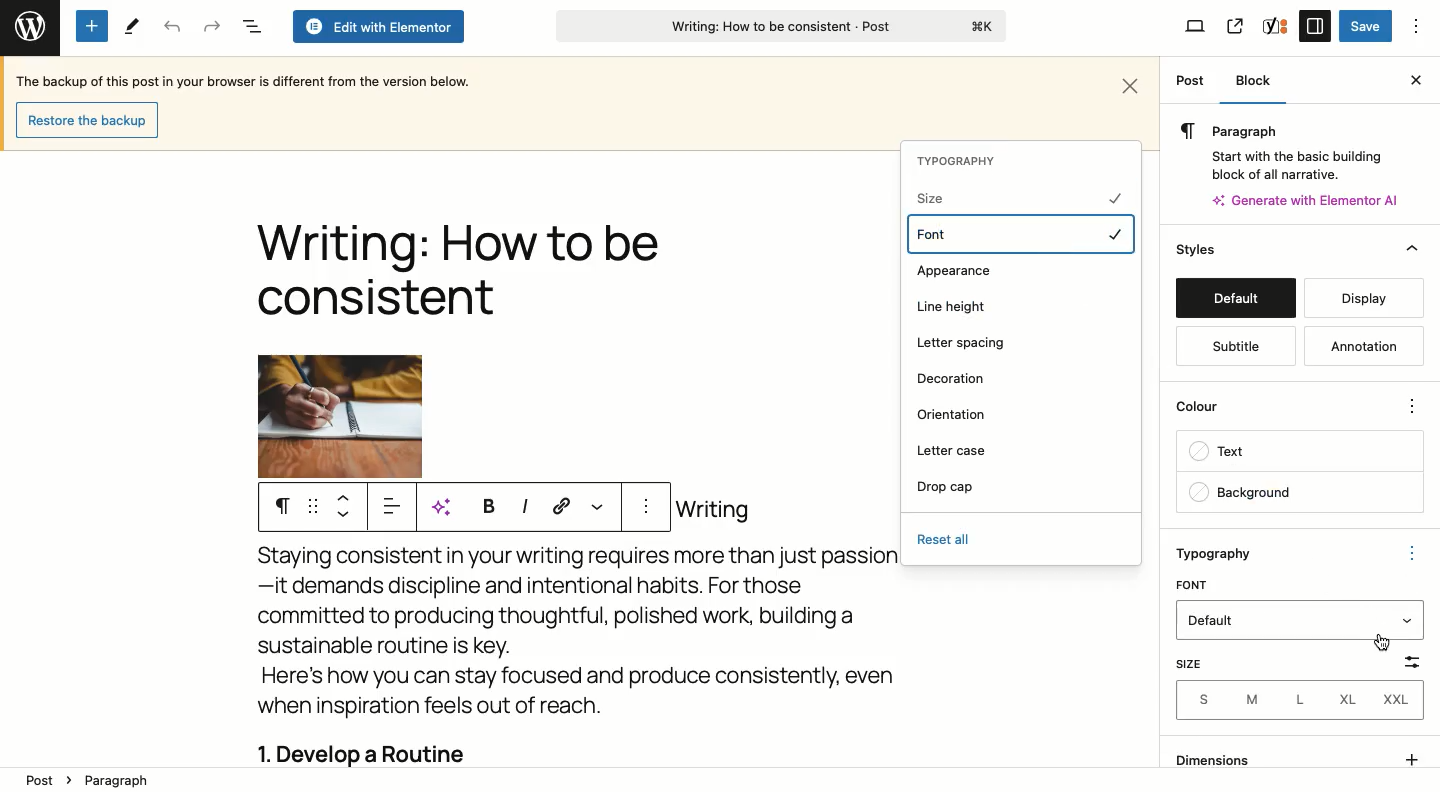 This screenshot has height=792, width=1440. Describe the element at coordinates (1304, 698) in the screenshot. I see `S M L XL XXL` at that location.